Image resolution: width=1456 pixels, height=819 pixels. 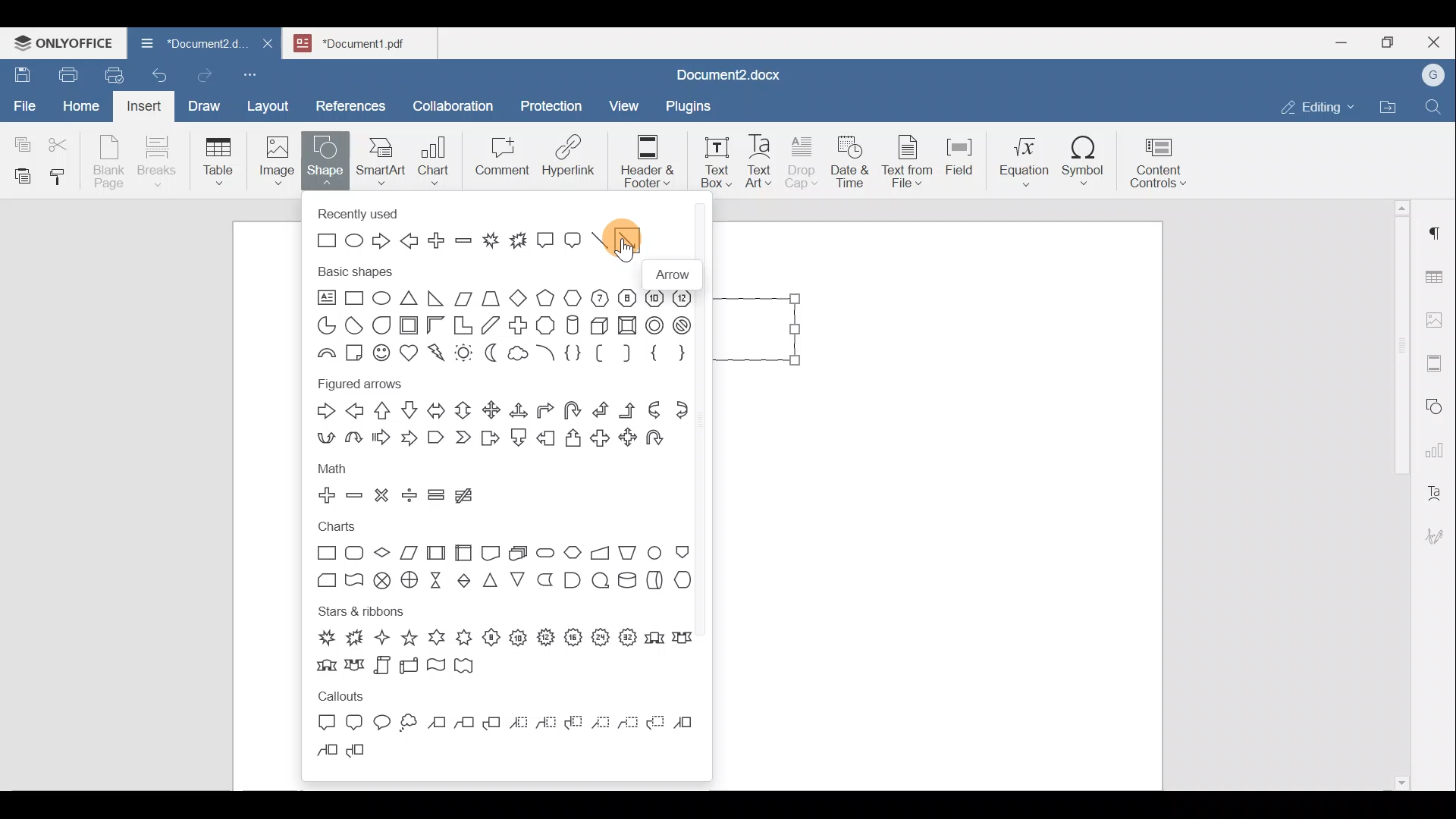 I want to click on Document name, so click(x=185, y=45).